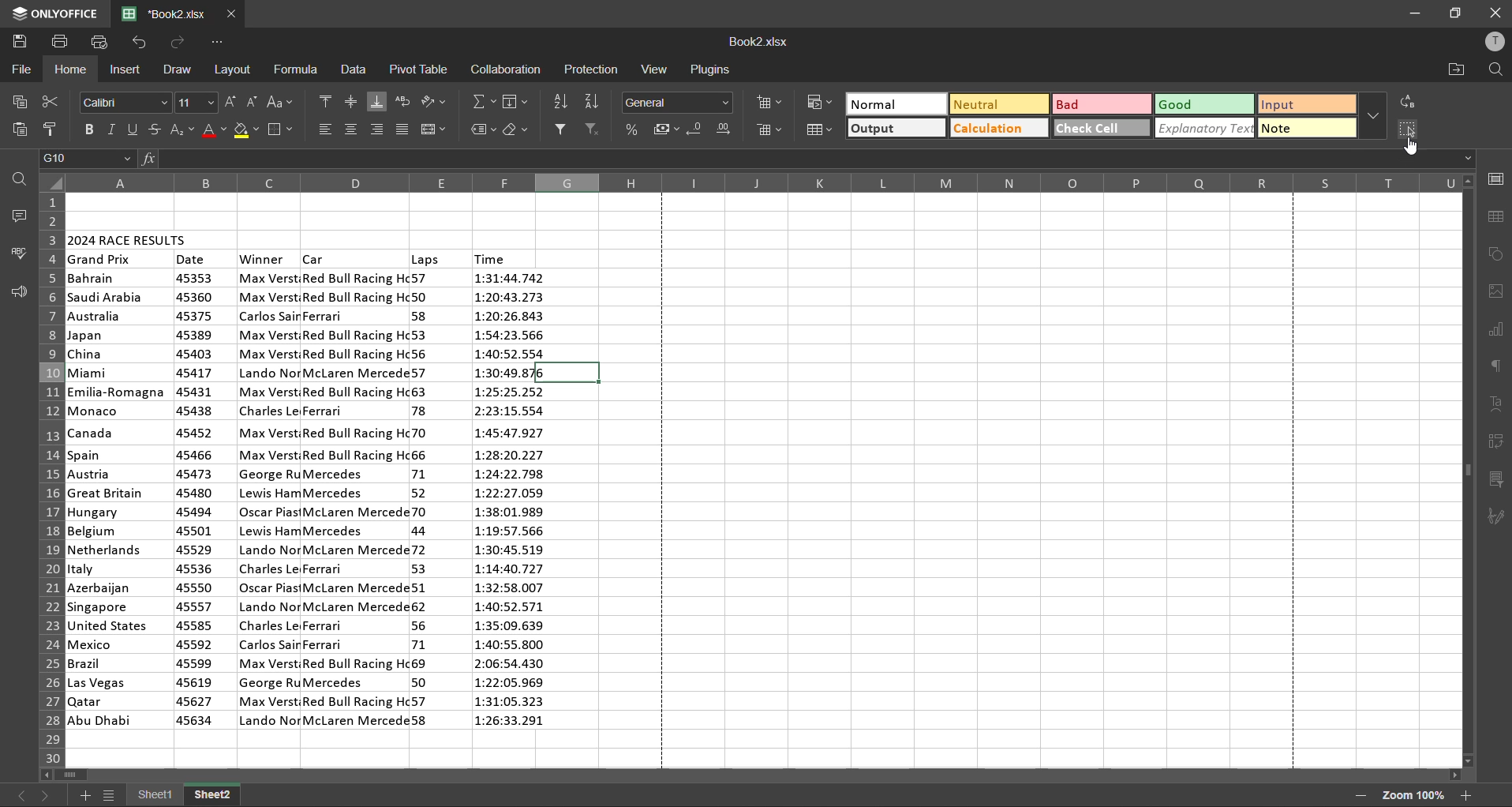  Describe the element at coordinates (1415, 14) in the screenshot. I see `minimize` at that location.